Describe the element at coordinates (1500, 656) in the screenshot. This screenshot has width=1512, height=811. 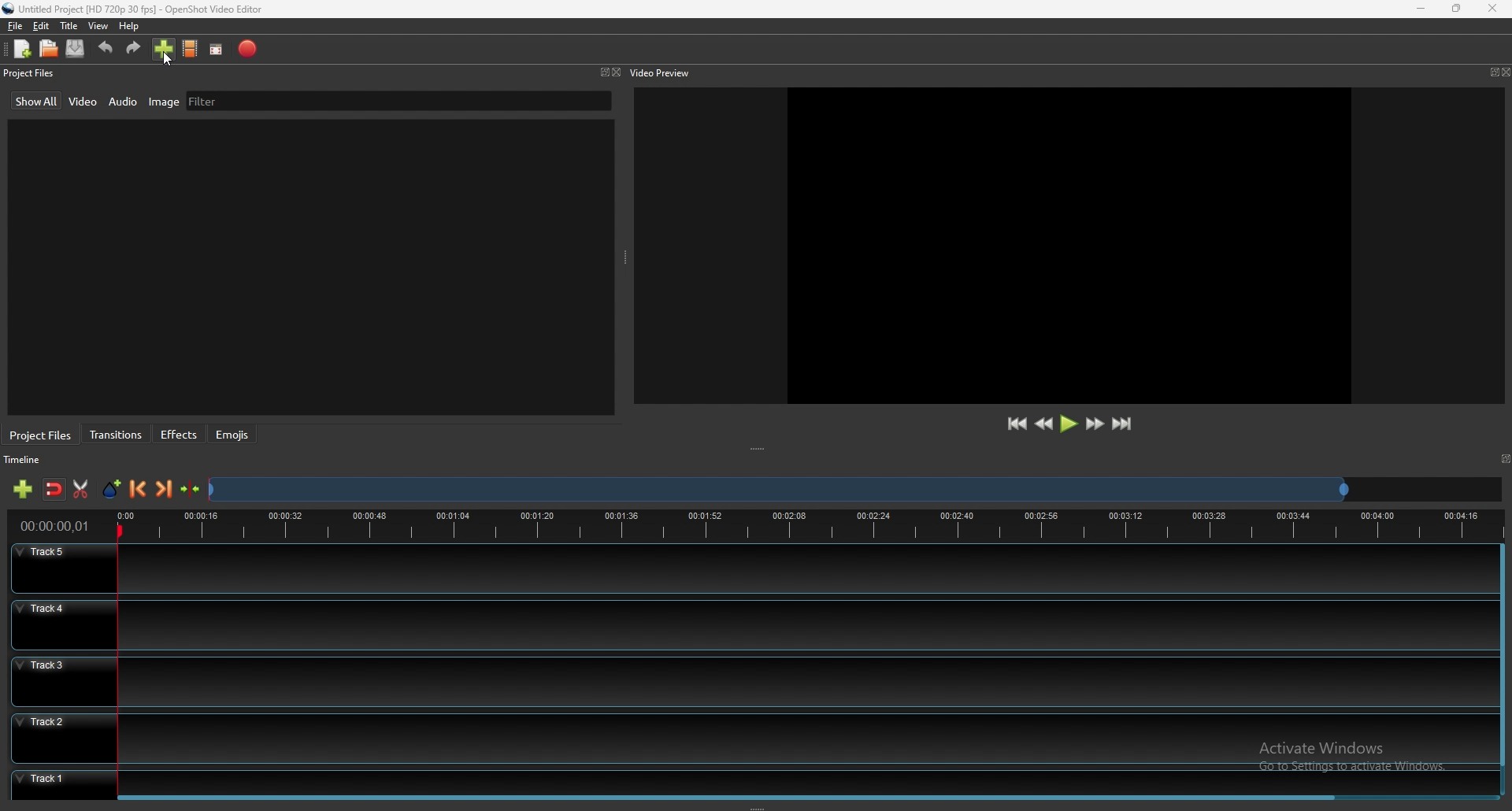
I see `scroll bar` at that location.